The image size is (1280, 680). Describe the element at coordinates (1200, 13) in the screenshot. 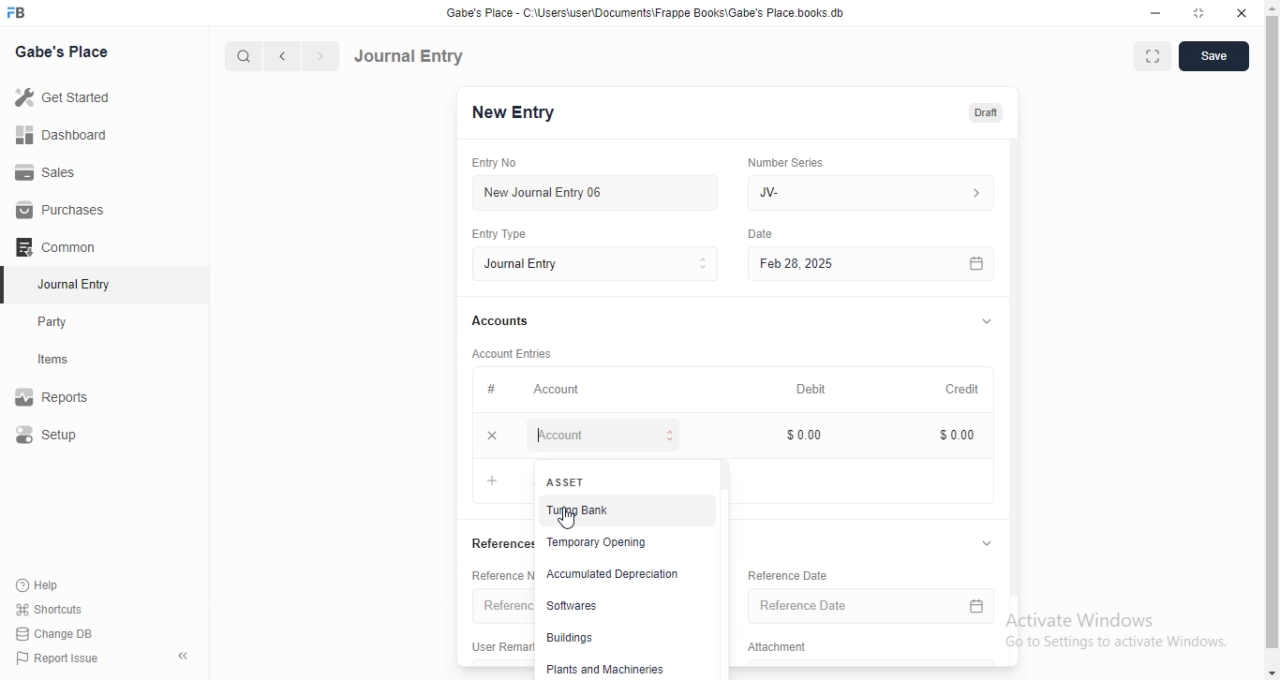

I see `restore down` at that location.